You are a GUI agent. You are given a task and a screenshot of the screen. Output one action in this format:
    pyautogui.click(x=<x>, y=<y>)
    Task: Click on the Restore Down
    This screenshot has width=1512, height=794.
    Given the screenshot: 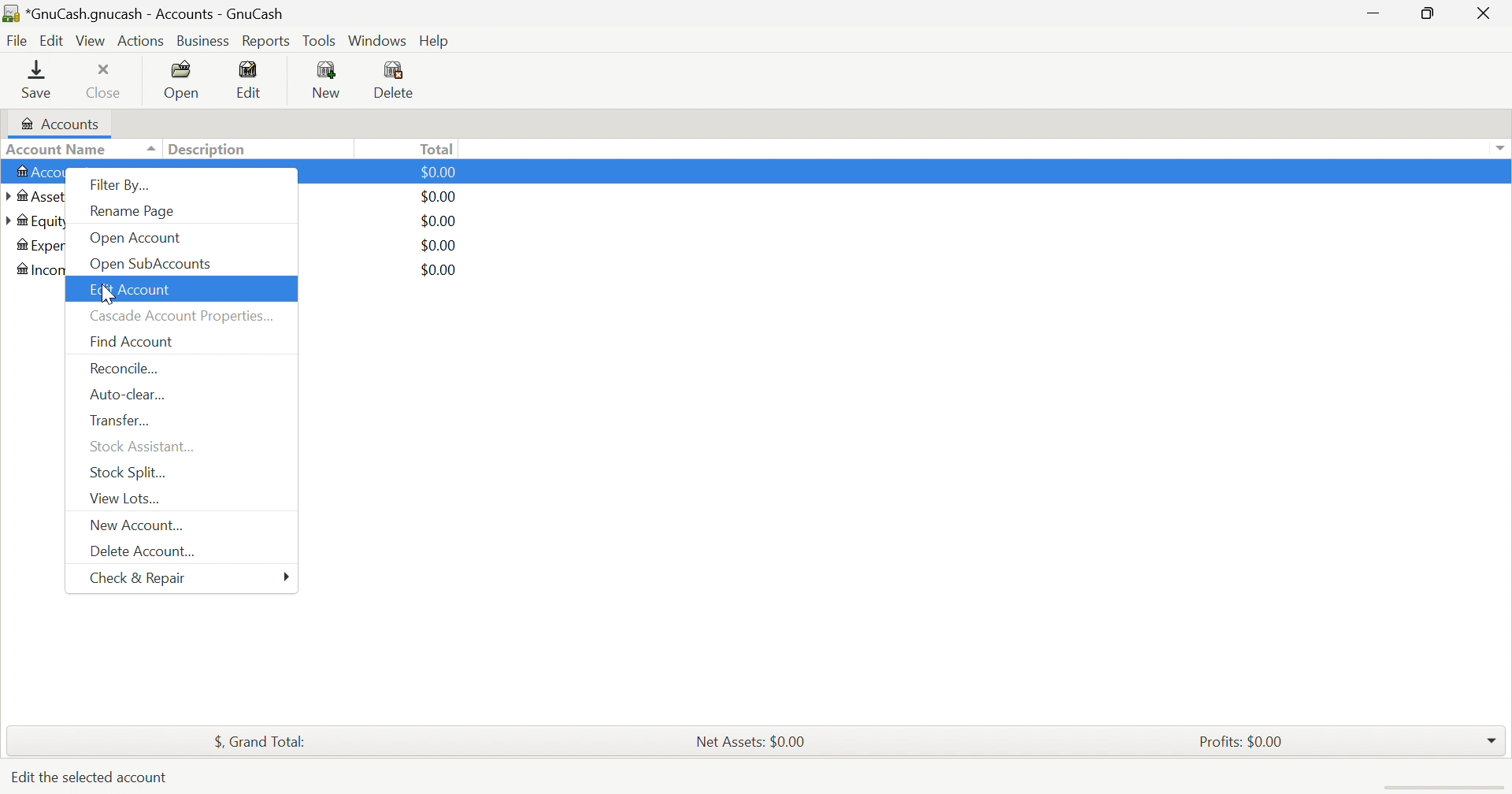 What is the action you would take?
    pyautogui.click(x=1429, y=13)
    